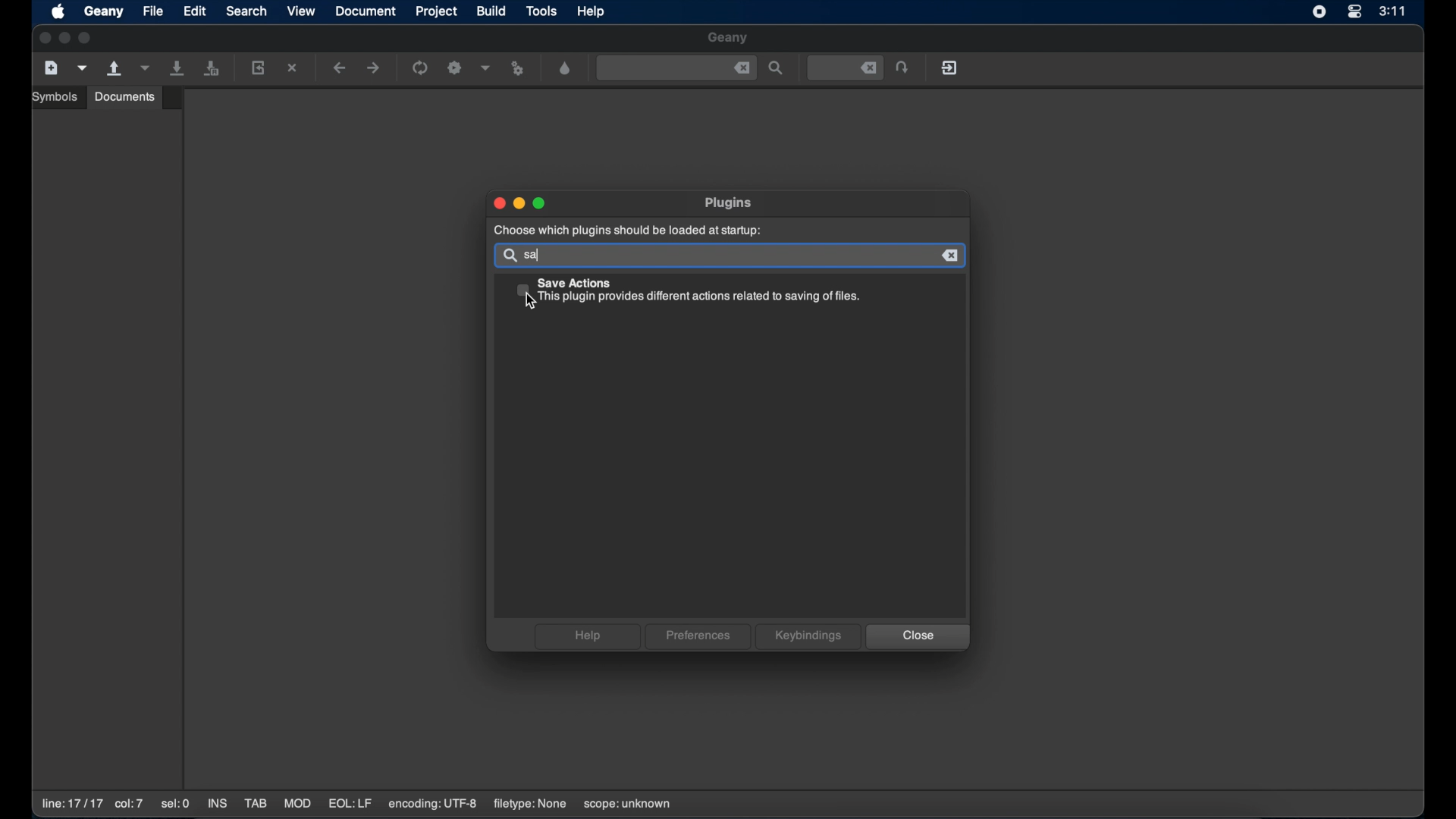 The image size is (1456, 819). I want to click on open an existing file, so click(115, 69).